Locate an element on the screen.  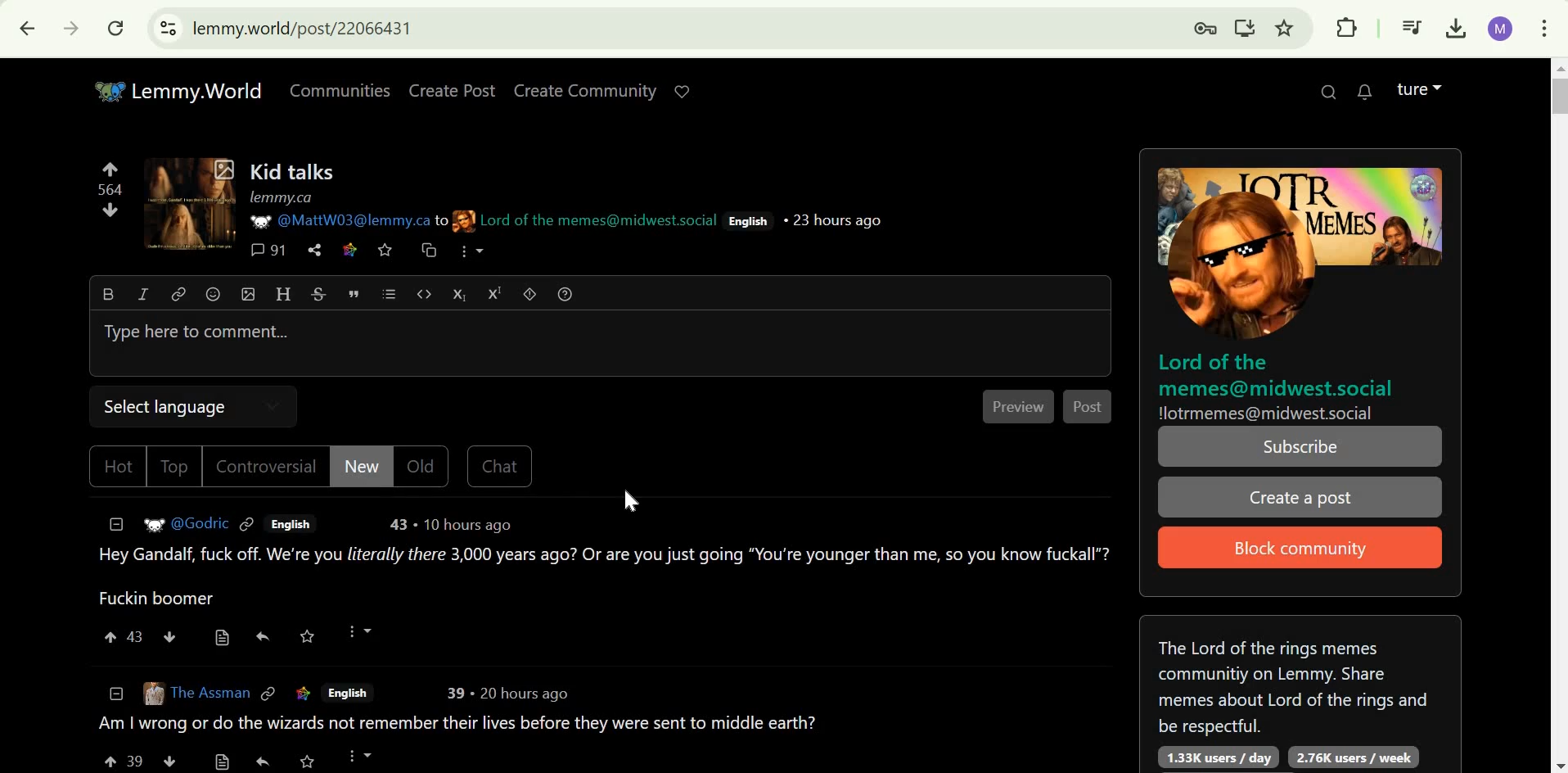
downvote is located at coordinates (110, 210).